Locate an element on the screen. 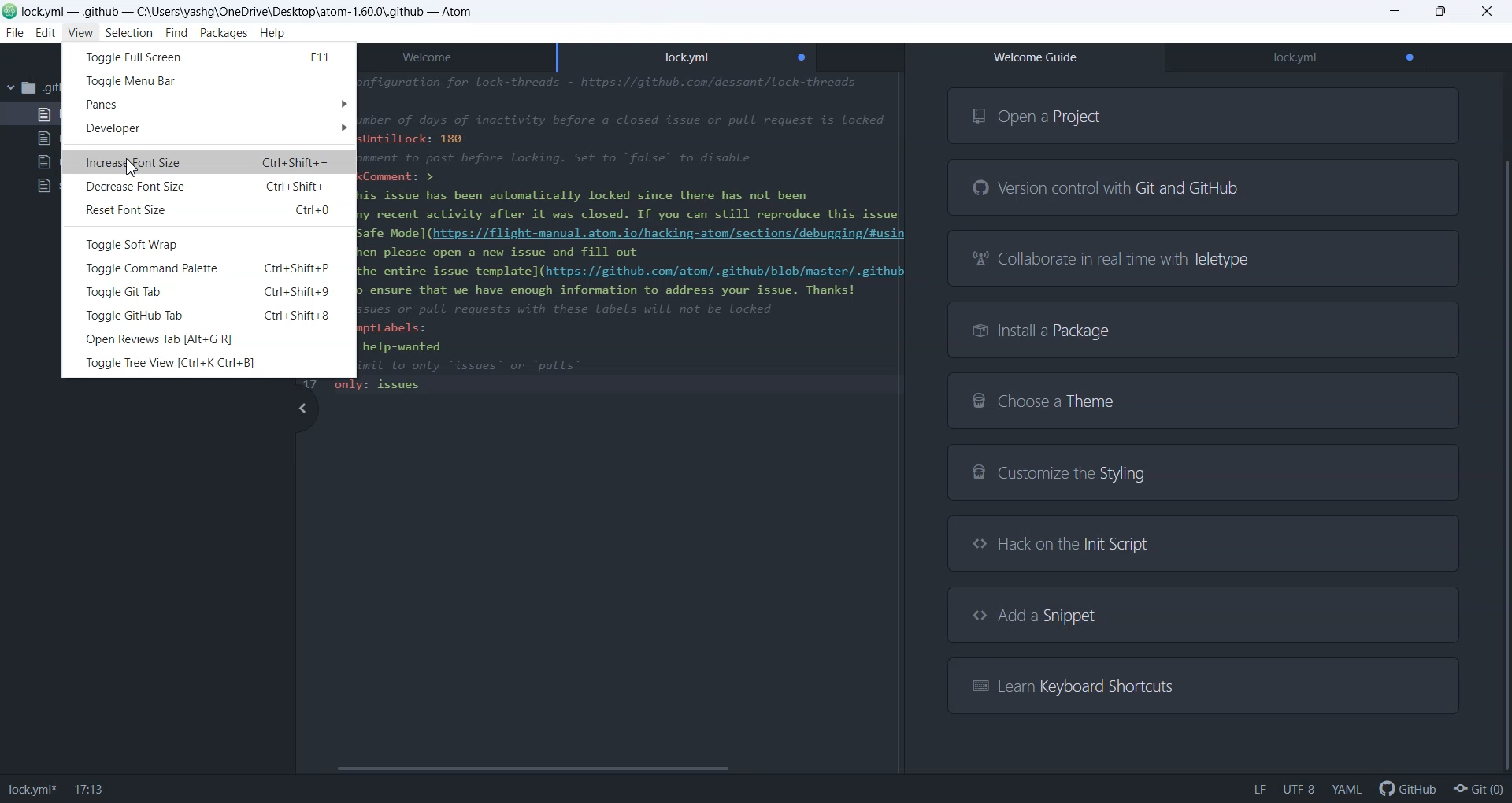 The width and height of the screenshot is (1512, 803). # Configuration for lock-threads - https://qgithub.com/dessant/Lock-threads

# Number of days of inactivity before a closed issue or pull request is Locked

daysUntillock: 180

# Comment to post before Locking. Set to “false to disable

lockComment: >
This issue has been automatically locked since there has not been
any recent activity after it was closed. If you can still reproduce this issue
[Safe Mode] (https: //flight-manual.atom.io/hacking-atom/sections/debugging/#usin
then please open a new issue and fill out
[the entire issue template](https://github.com/atom/.github/blob/master/.github
to ensure that we have enough information to address your issue. Thanks!

# Issues or pull requests with these Labels will not be Locked

exemptLabels:
- help-wanted

# Limit to only “issues” or “pulls

only: issues is located at coordinates (641, 234).